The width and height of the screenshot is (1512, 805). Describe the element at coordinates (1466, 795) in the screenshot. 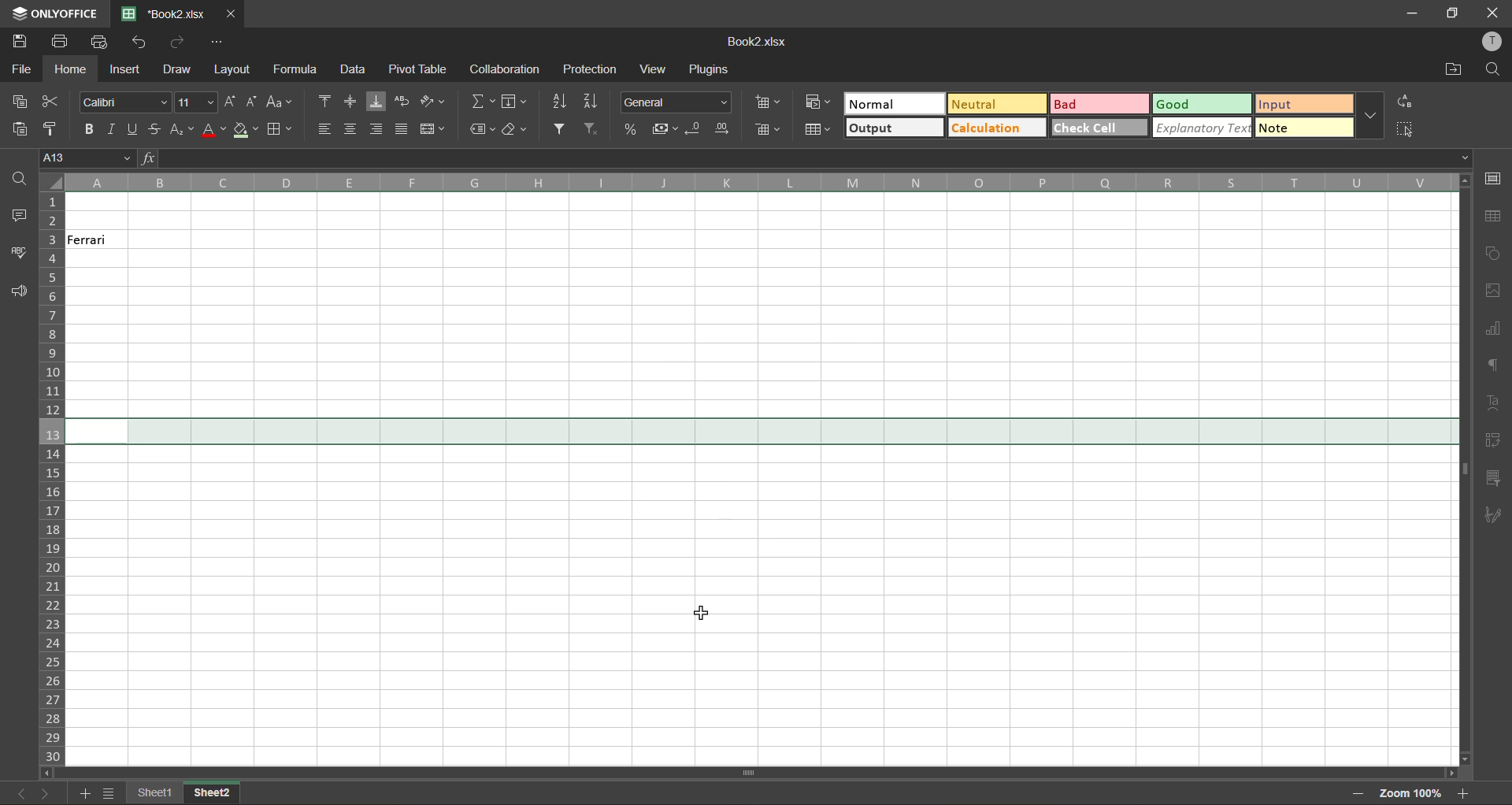

I see `zoom in` at that location.